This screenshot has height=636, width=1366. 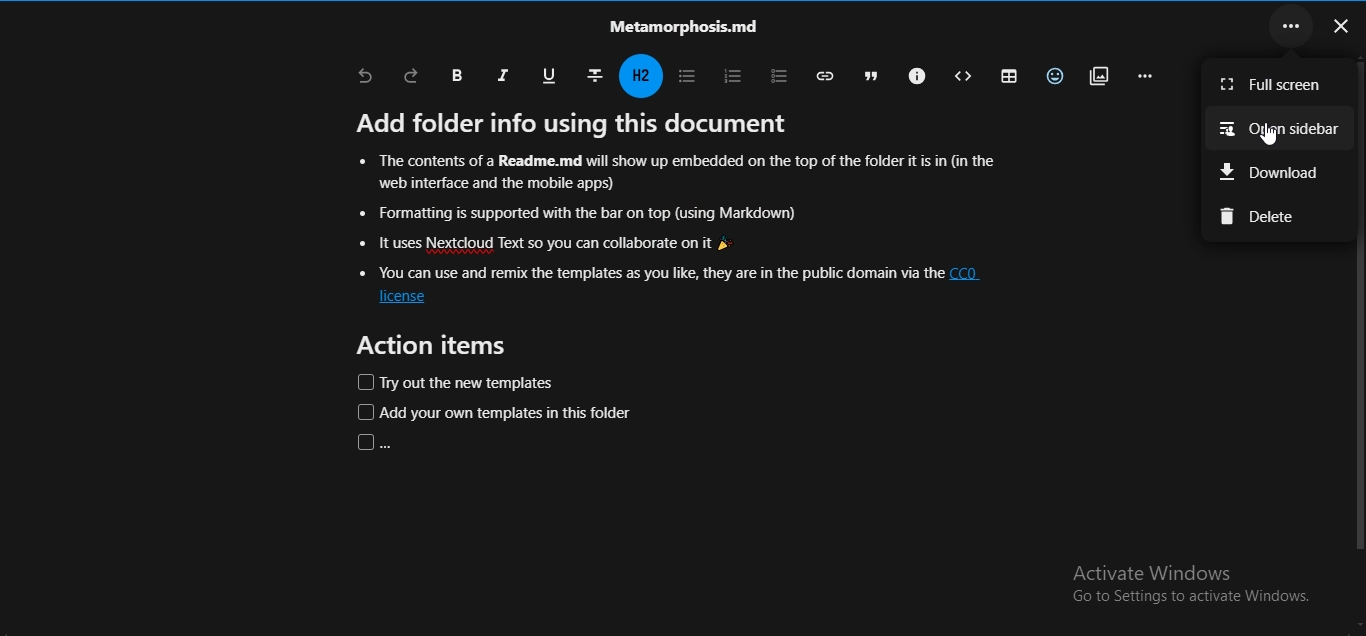 I want to click on text, so click(x=687, y=28).